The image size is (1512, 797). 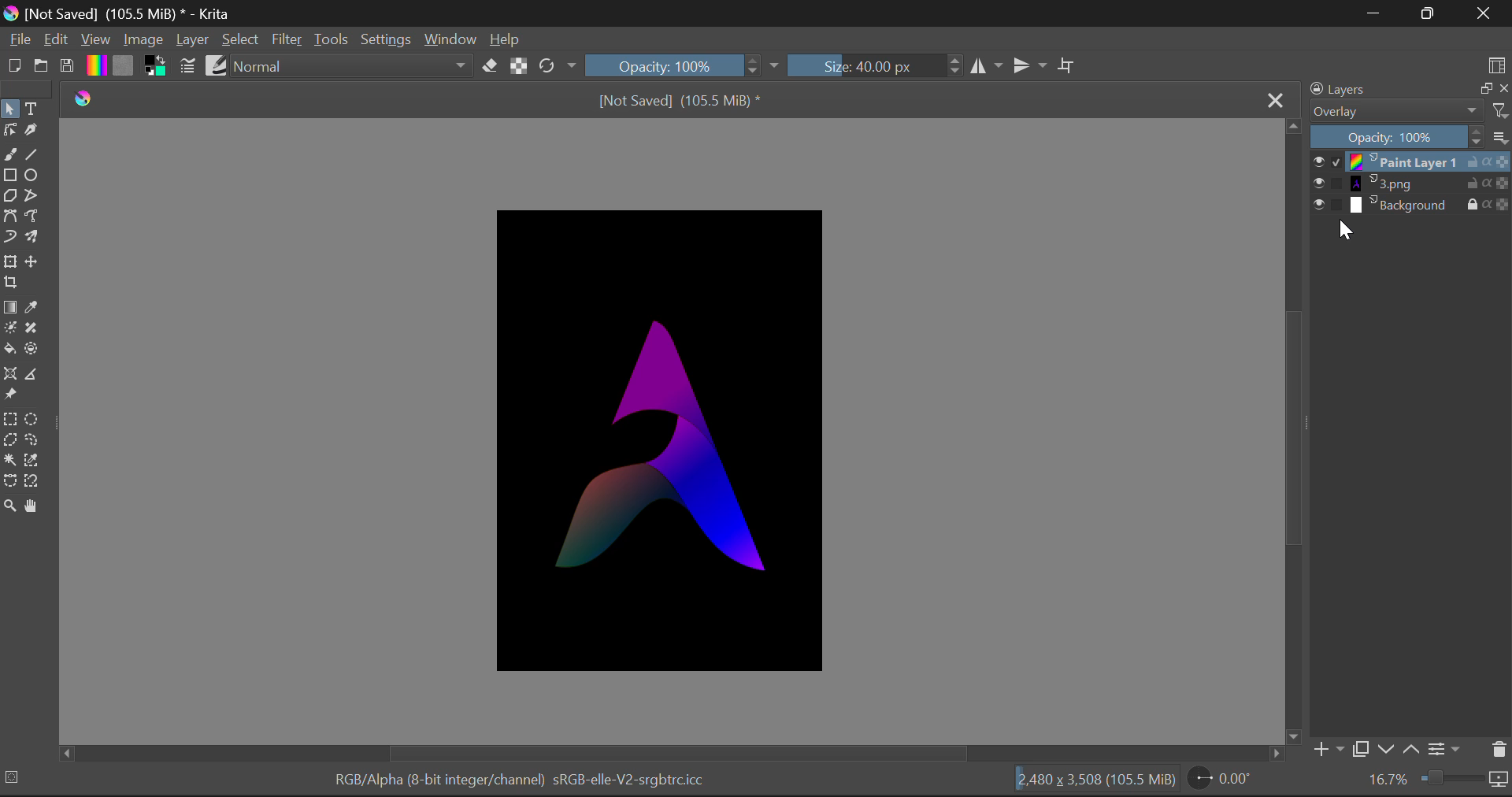 What do you see at coordinates (1329, 748) in the screenshot?
I see `Add Layer` at bounding box center [1329, 748].